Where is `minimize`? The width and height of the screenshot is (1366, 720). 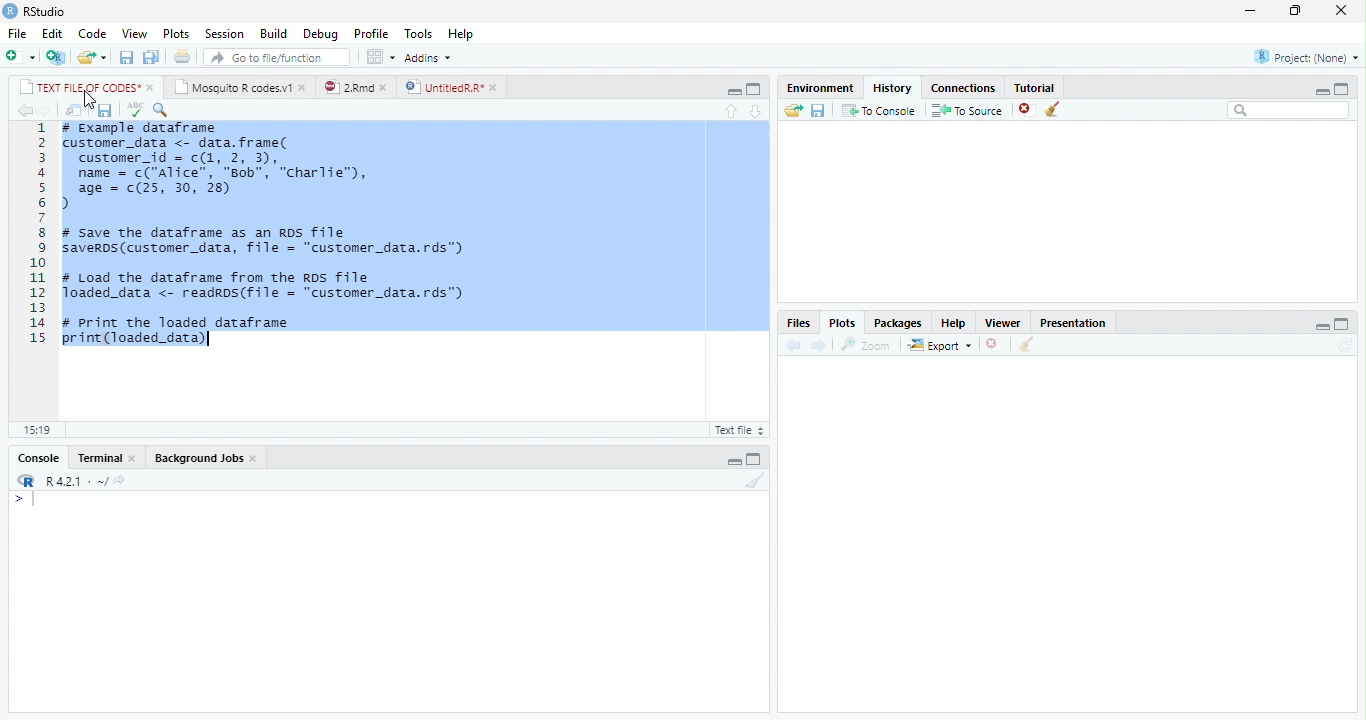
minimize is located at coordinates (1323, 327).